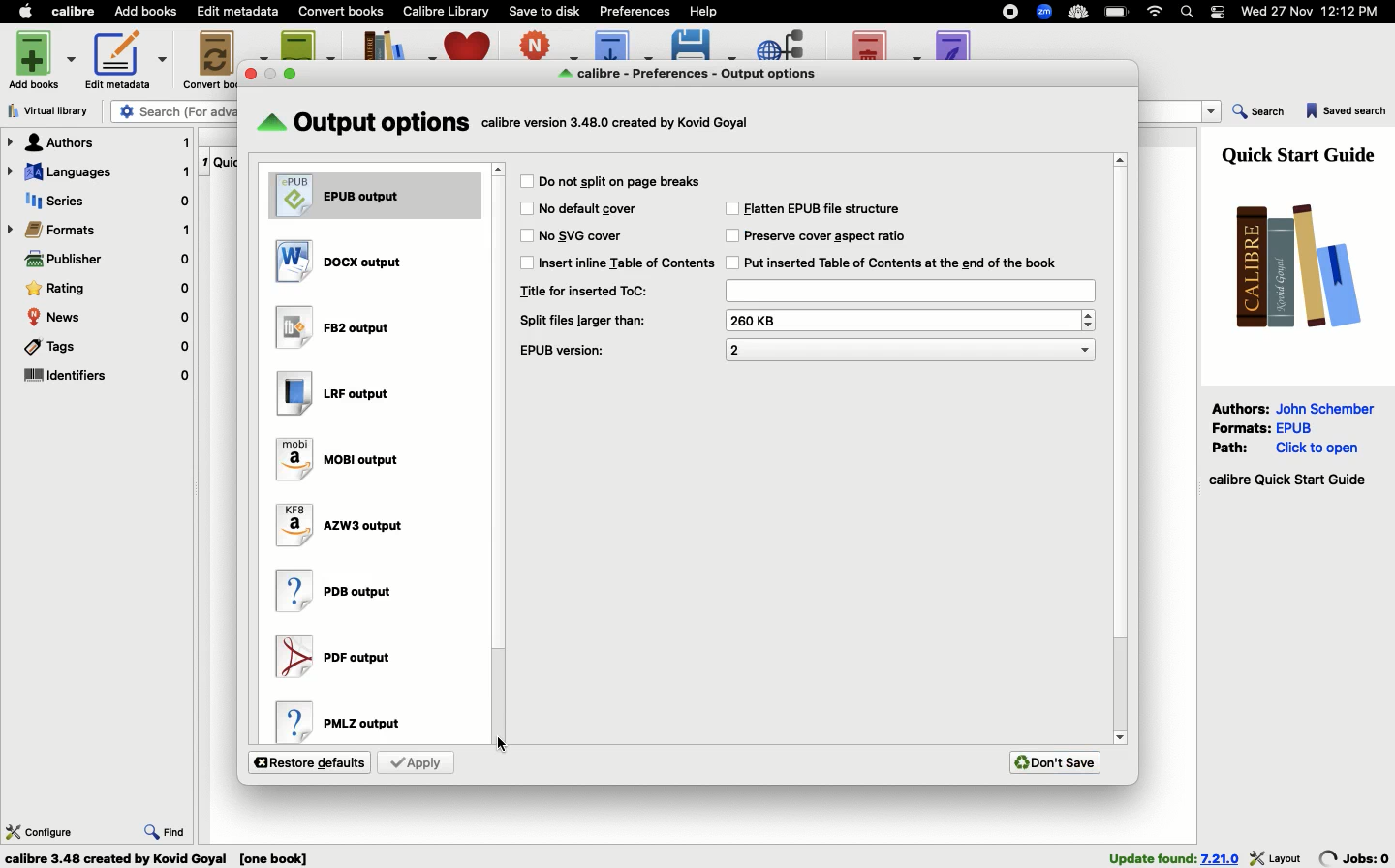 Image resolution: width=1395 pixels, height=868 pixels. I want to click on PMLZ, so click(354, 720).